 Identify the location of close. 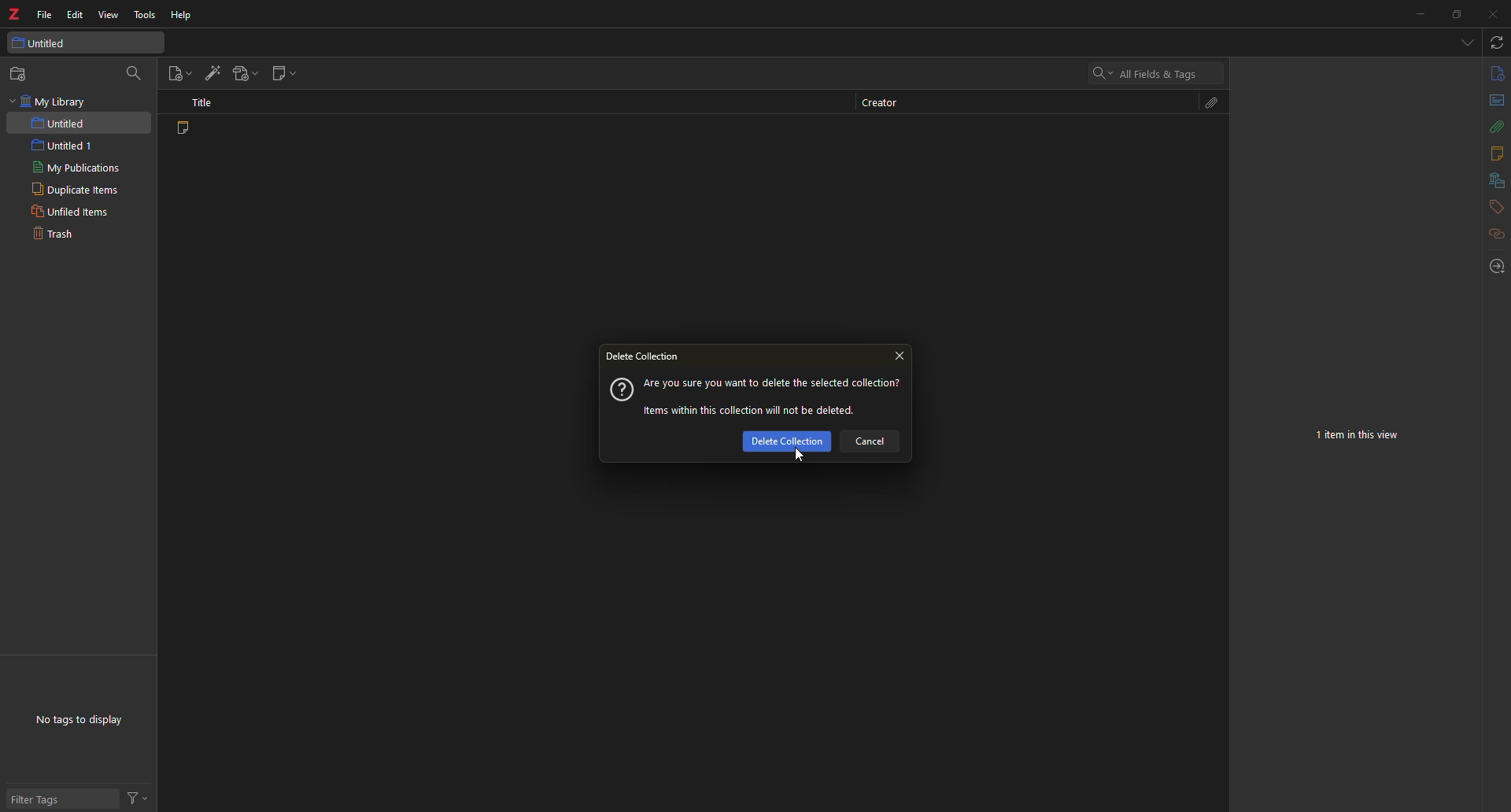
(1494, 13).